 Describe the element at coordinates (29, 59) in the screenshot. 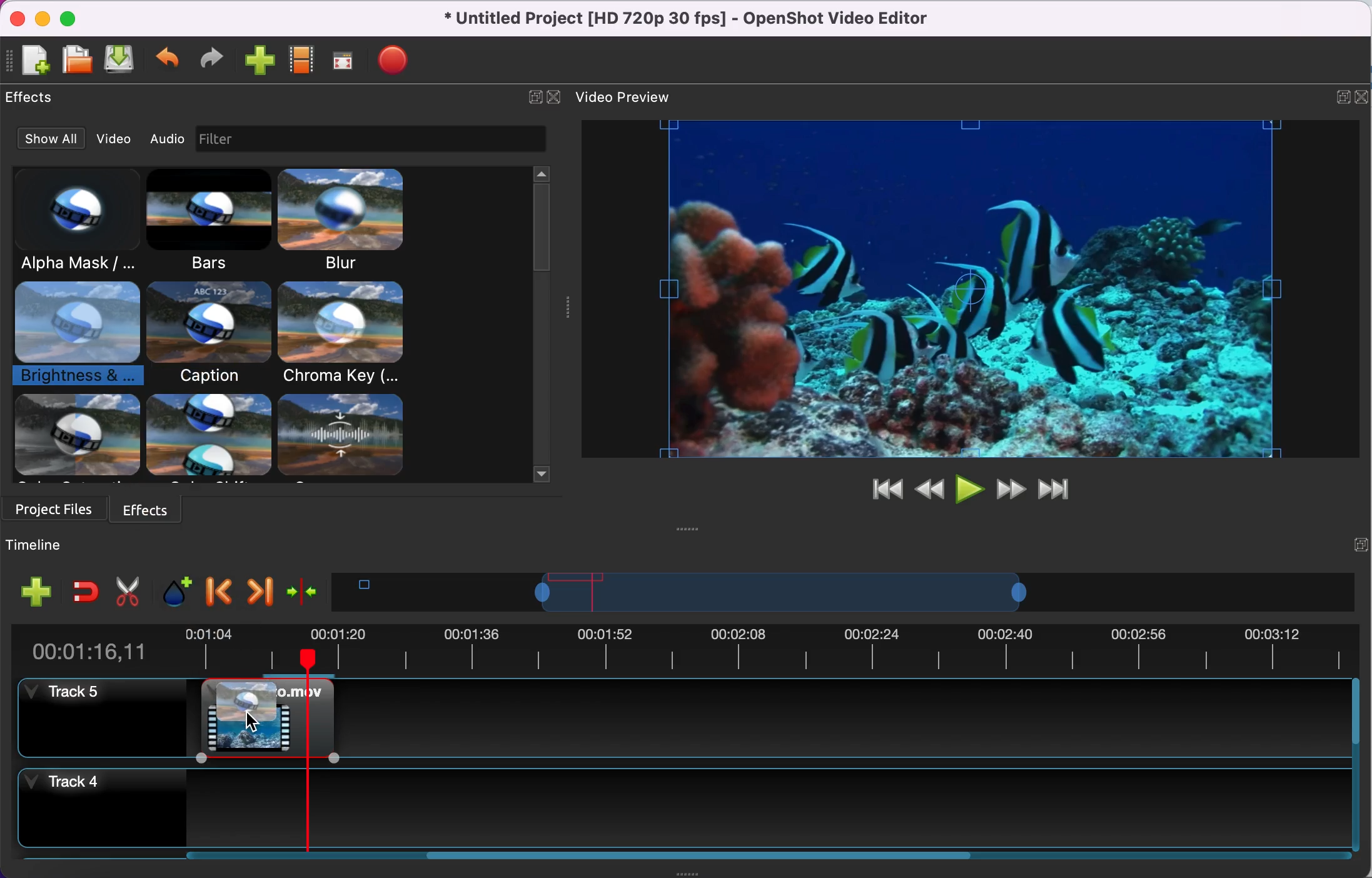

I see `new file` at that location.